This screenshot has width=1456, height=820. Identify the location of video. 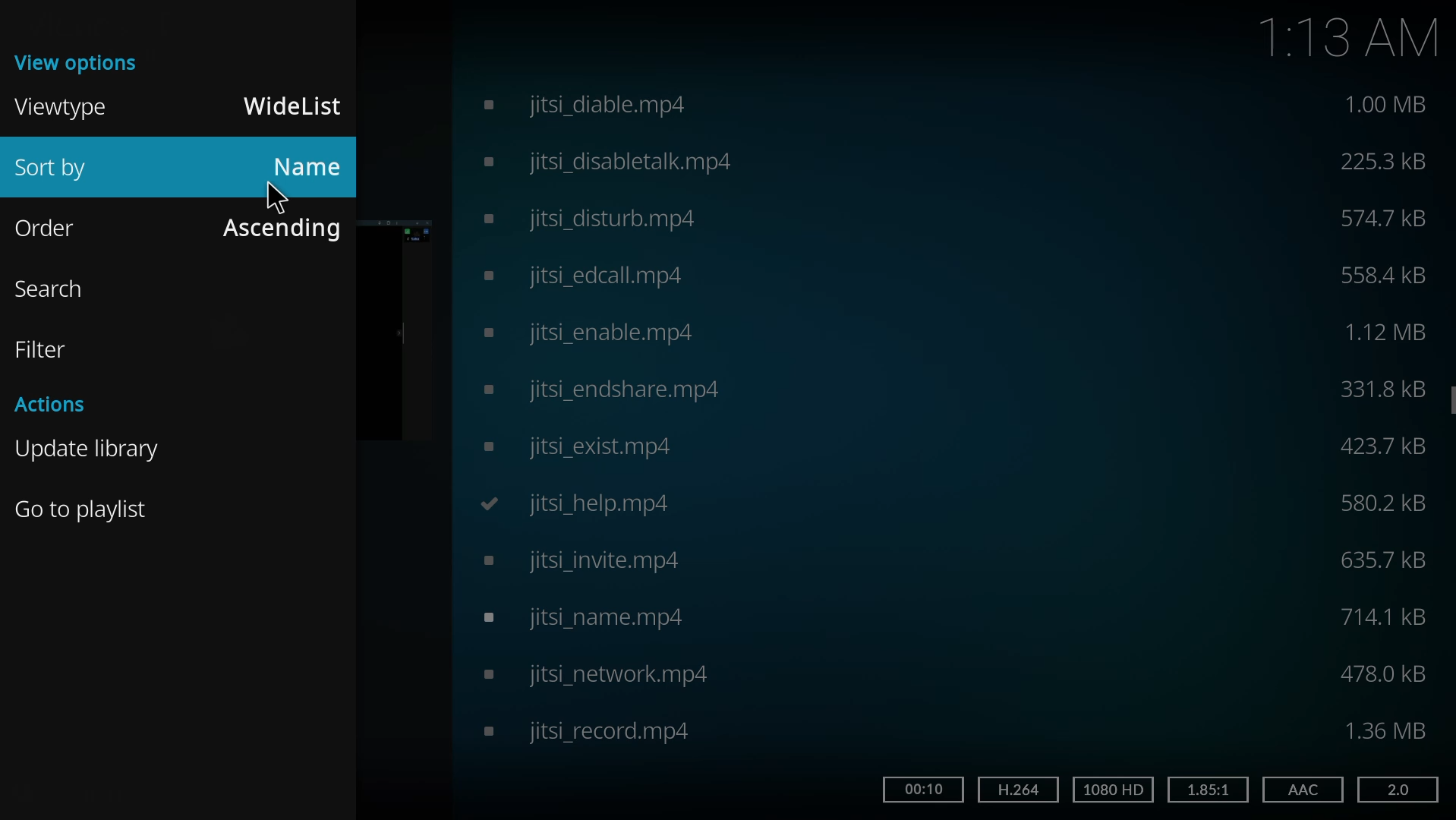
(585, 736).